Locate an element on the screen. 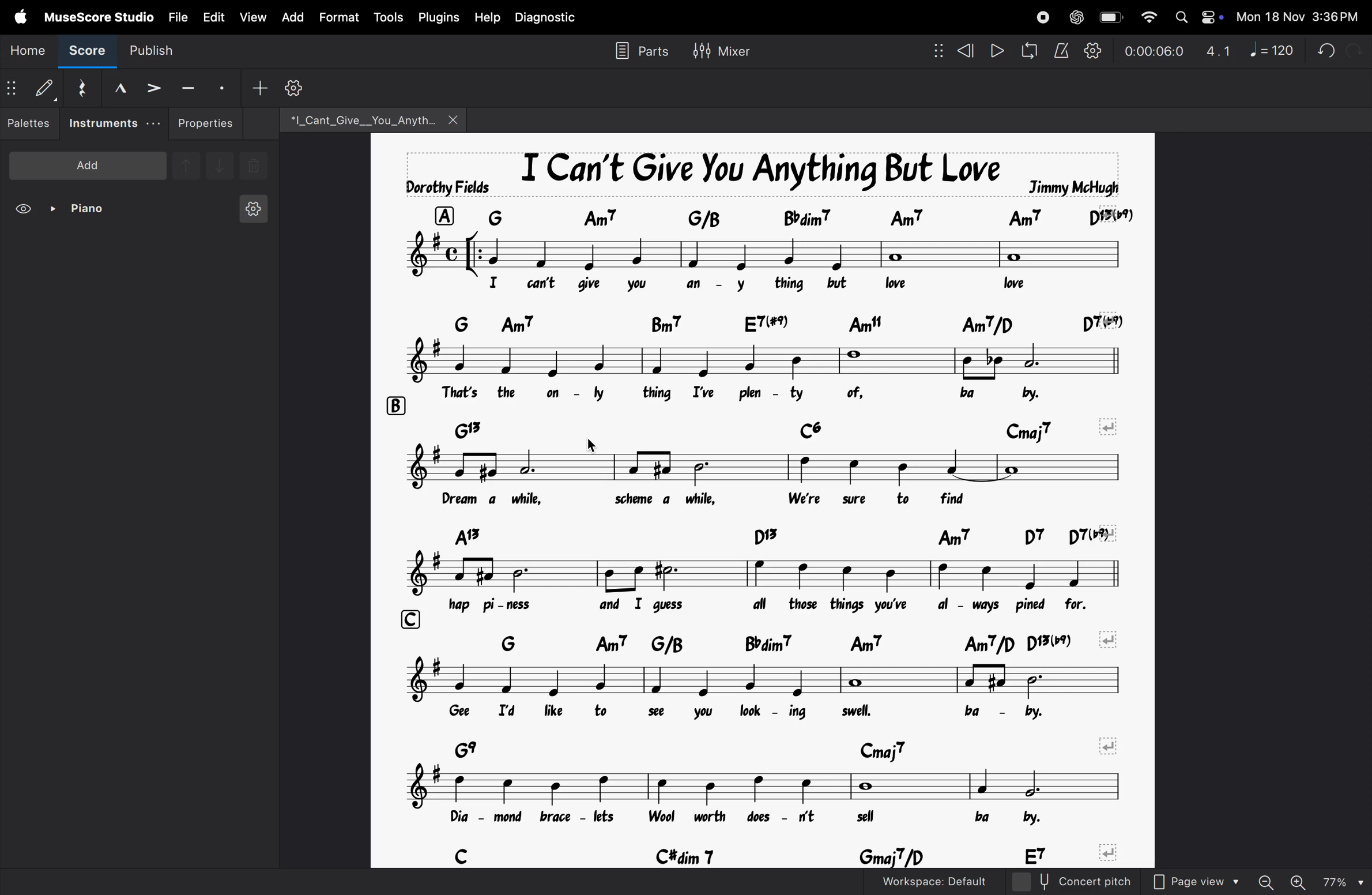 This screenshot has height=895, width=1372. record is located at coordinates (1042, 17).